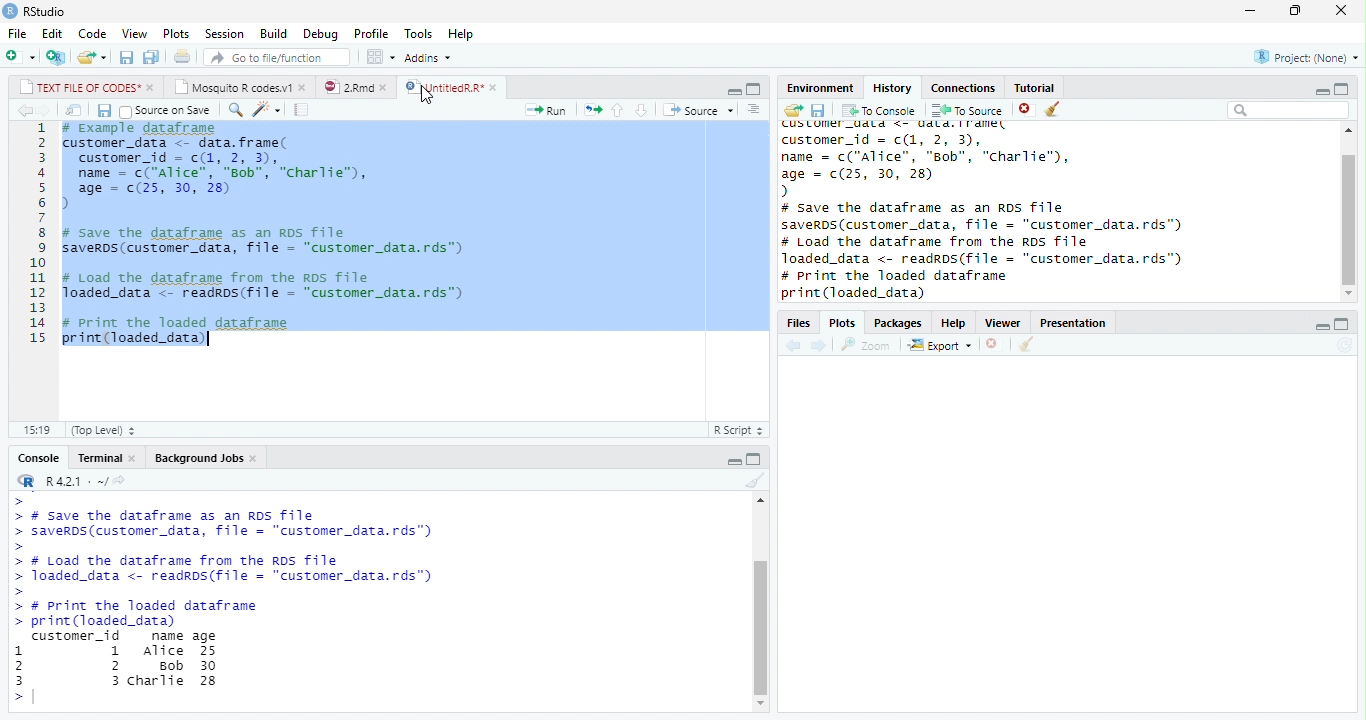  I want to click on Mosquito R codes.v1, so click(232, 87).